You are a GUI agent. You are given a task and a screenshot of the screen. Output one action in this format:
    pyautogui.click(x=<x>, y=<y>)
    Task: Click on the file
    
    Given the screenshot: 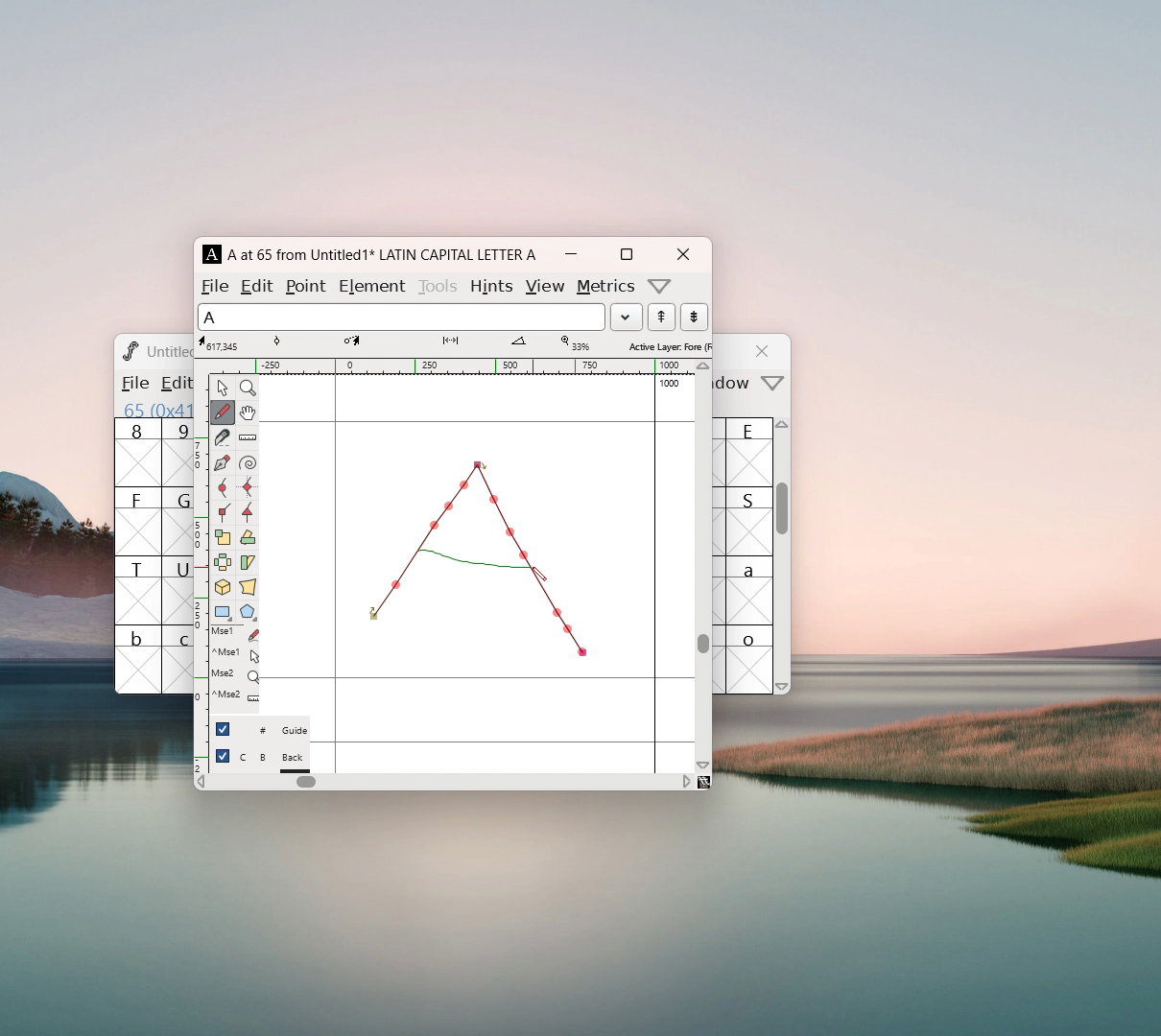 What is the action you would take?
    pyautogui.click(x=133, y=383)
    